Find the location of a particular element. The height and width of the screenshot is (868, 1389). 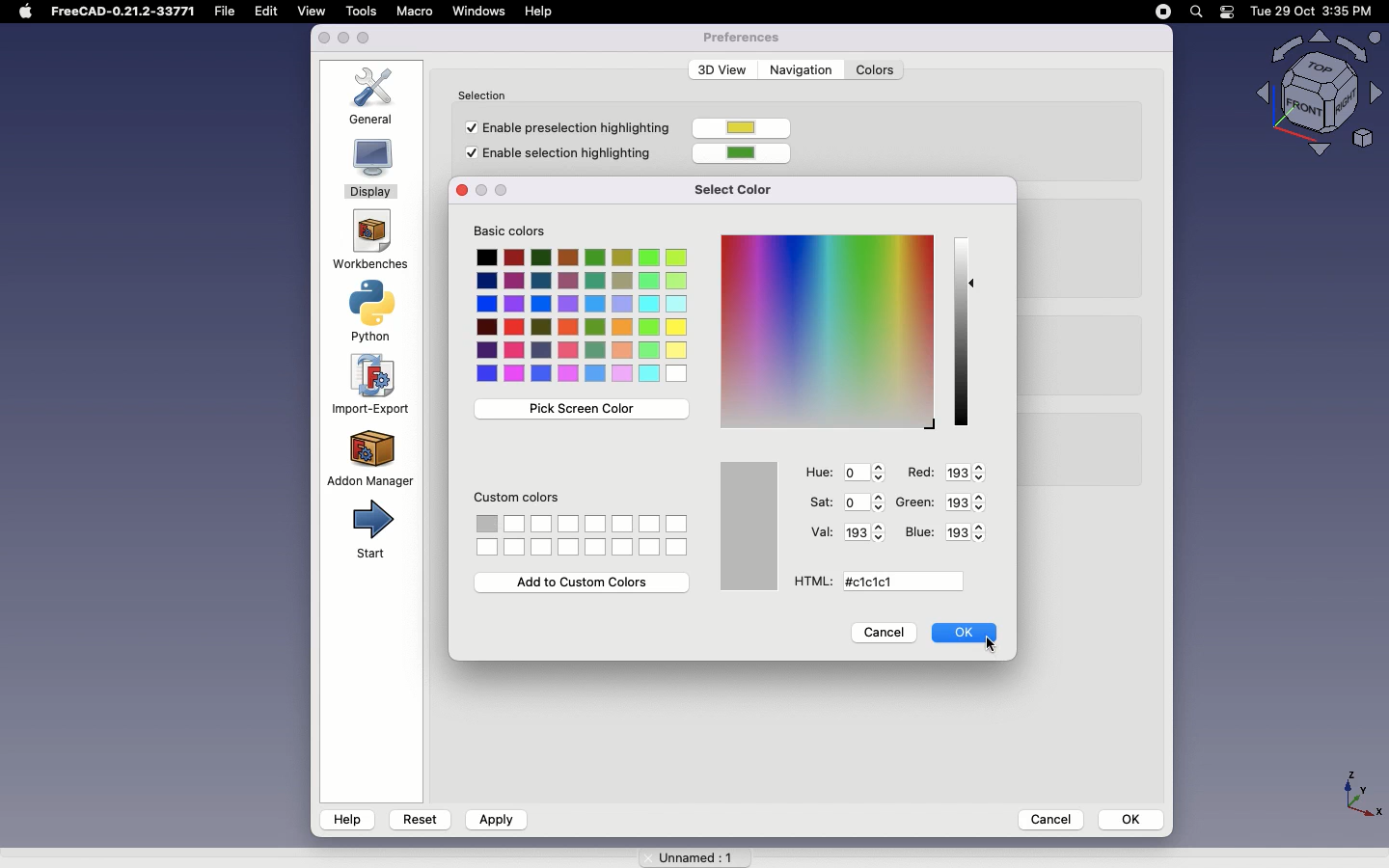

Macro is located at coordinates (414, 11).